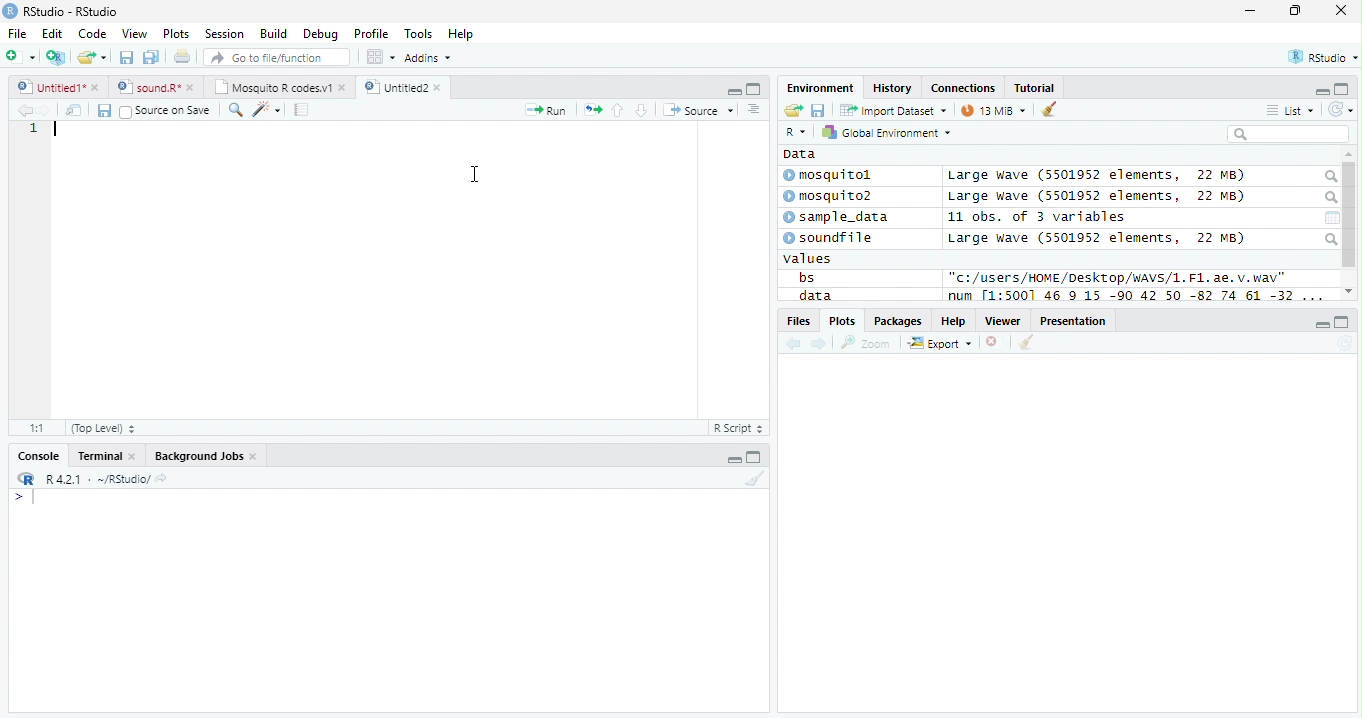  I want to click on Go backward, so click(794, 345).